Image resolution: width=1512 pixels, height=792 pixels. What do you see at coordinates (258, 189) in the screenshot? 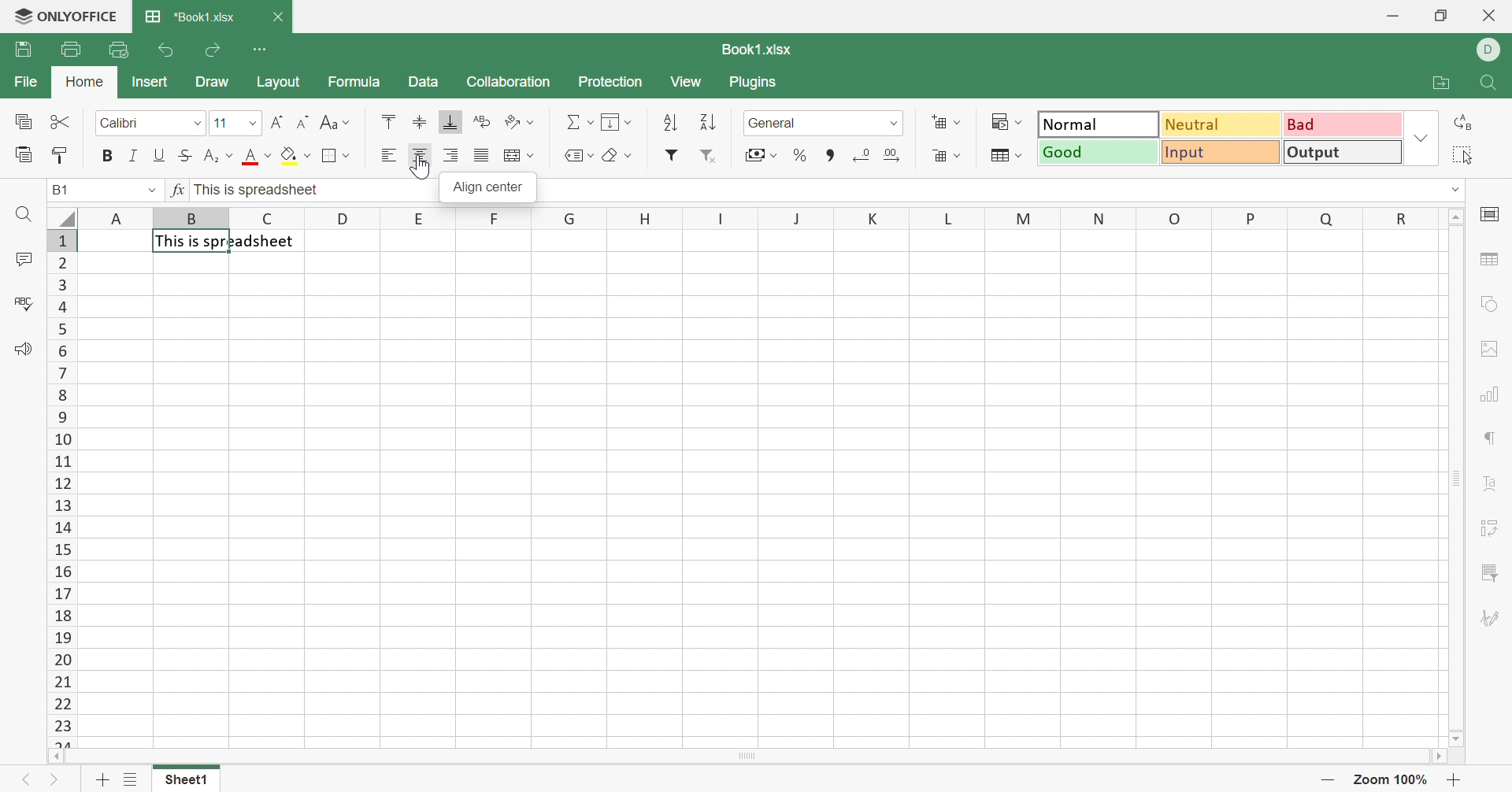
I see `This is spreadsheet` at bounding box center [258, 189].